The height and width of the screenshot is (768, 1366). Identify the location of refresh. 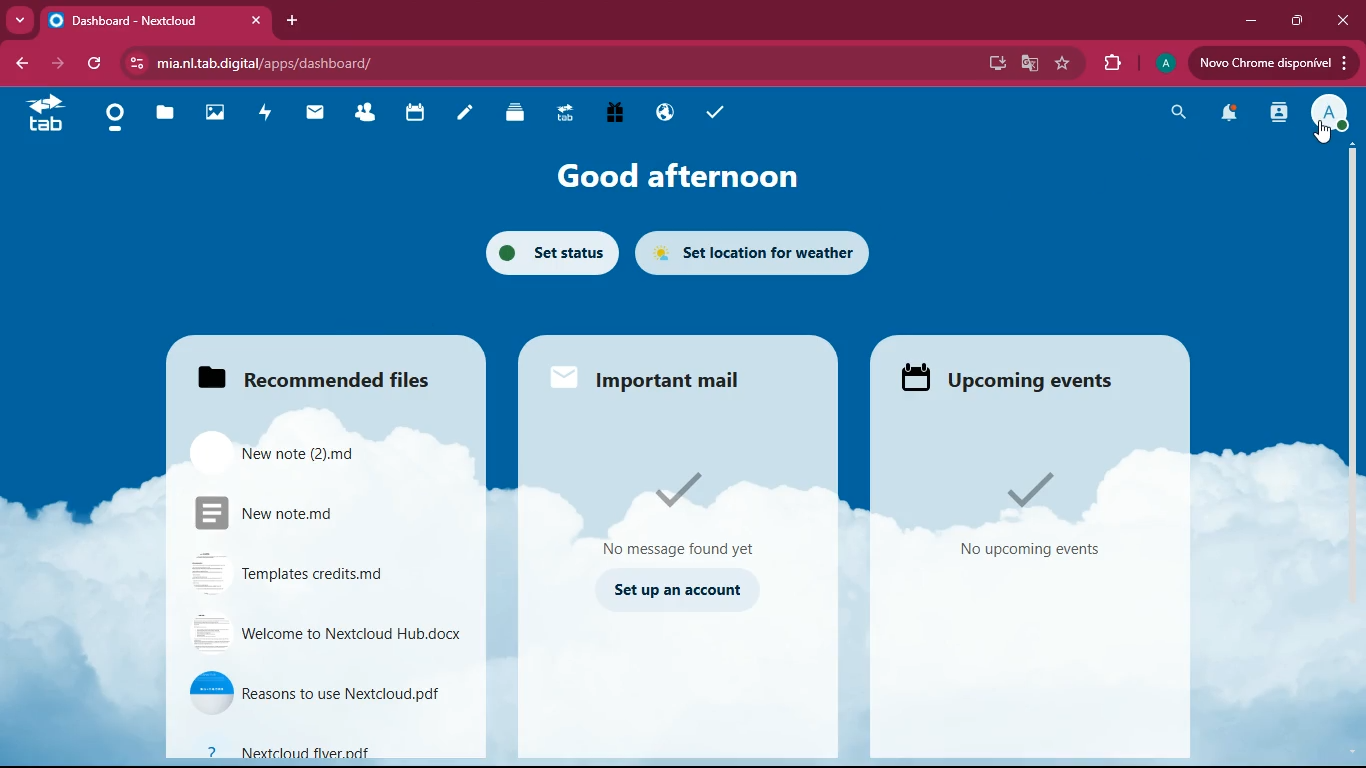
(95, 64).